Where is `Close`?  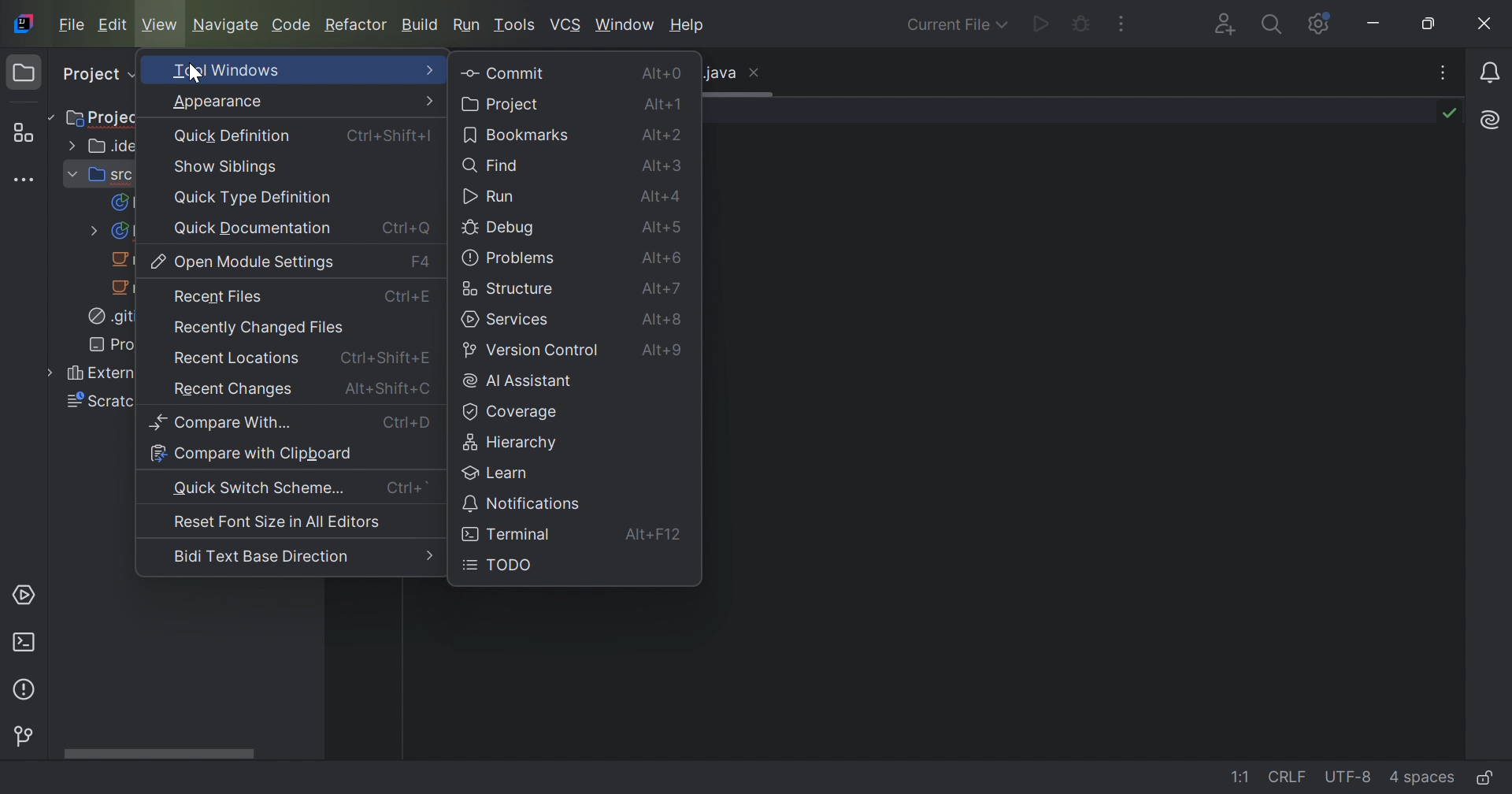 Close is located at coordinates (759, 74).